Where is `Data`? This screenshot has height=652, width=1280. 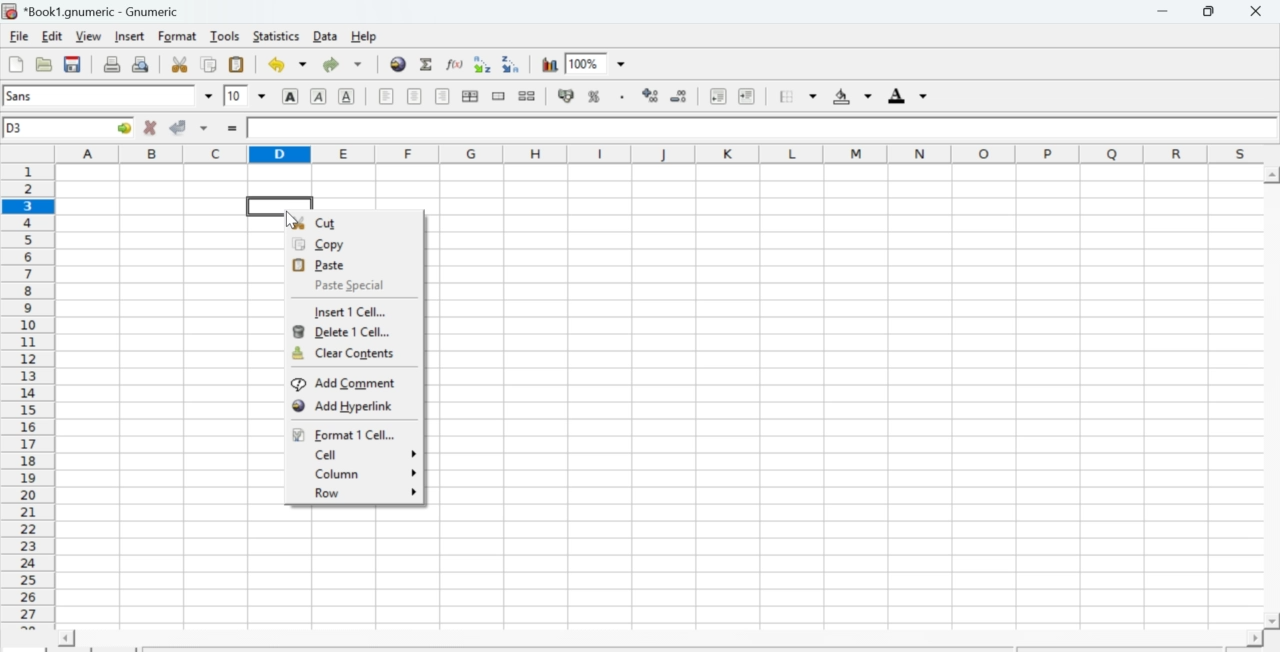
Data is located at coordinates (326, 36).